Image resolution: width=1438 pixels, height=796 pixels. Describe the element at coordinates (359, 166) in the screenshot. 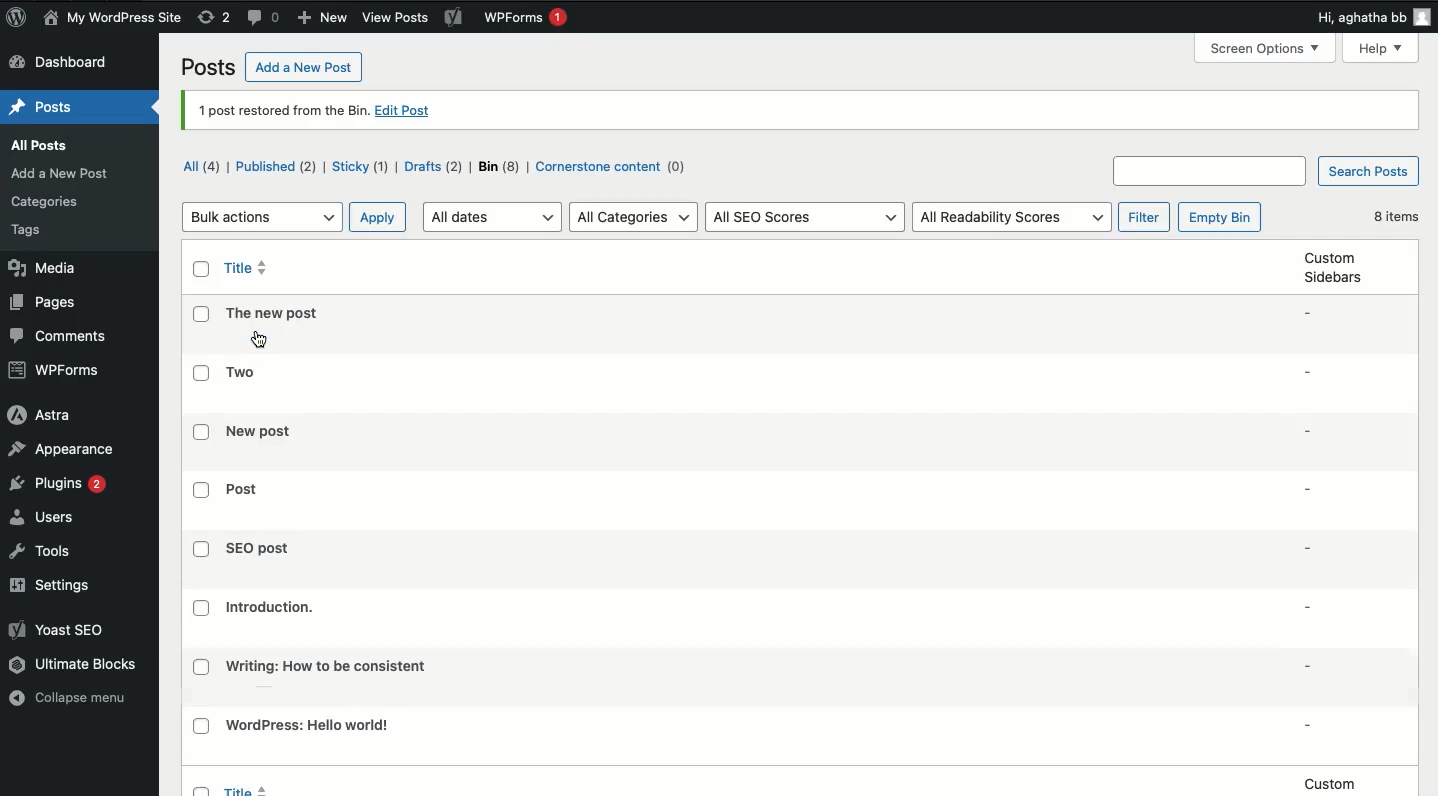

I see `Sticky` at that location.